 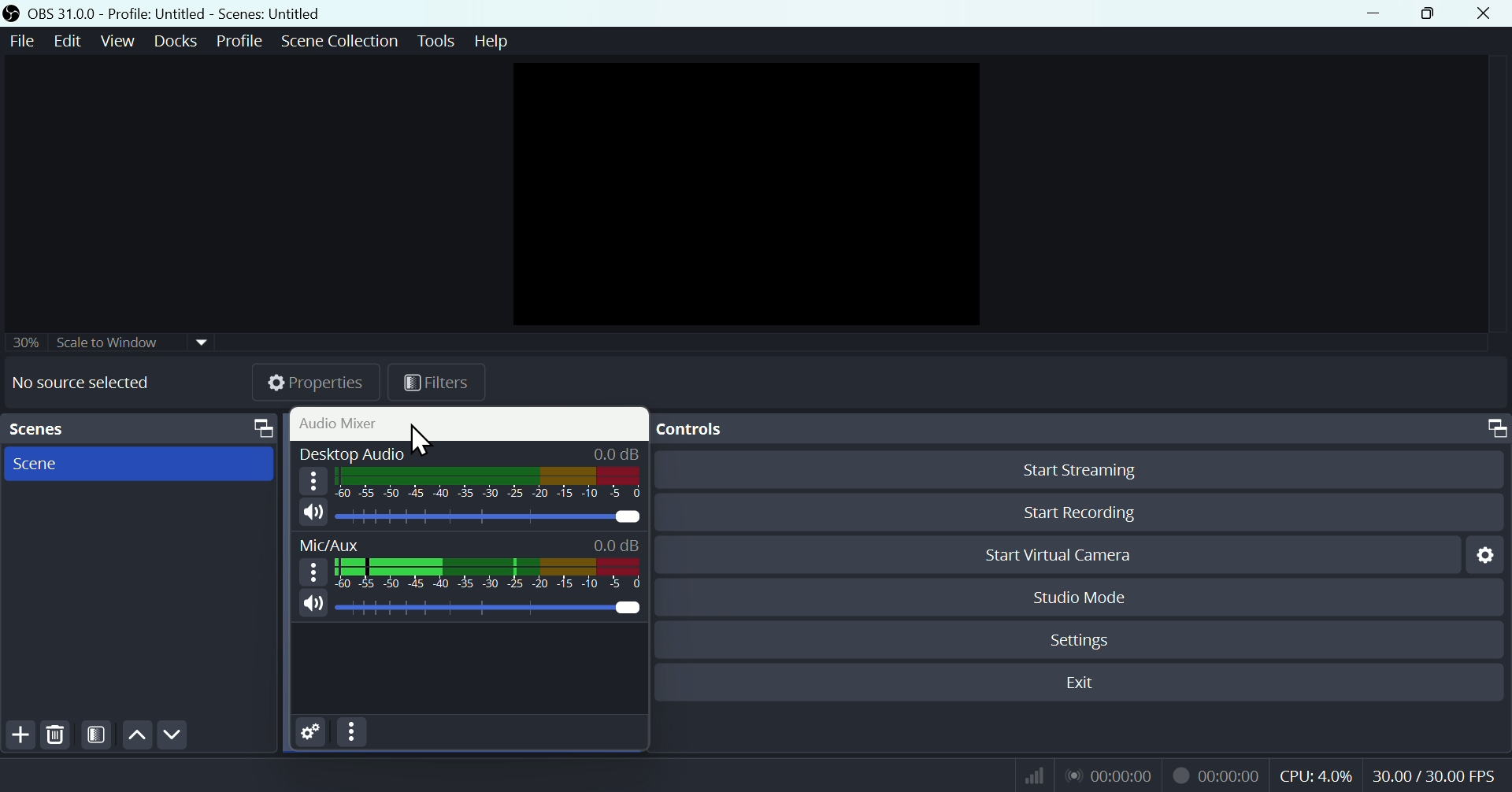 What do you see at coordinates (1083, 430) in the screenshot?
I see `Controls` at bounding box center [1083, 430].